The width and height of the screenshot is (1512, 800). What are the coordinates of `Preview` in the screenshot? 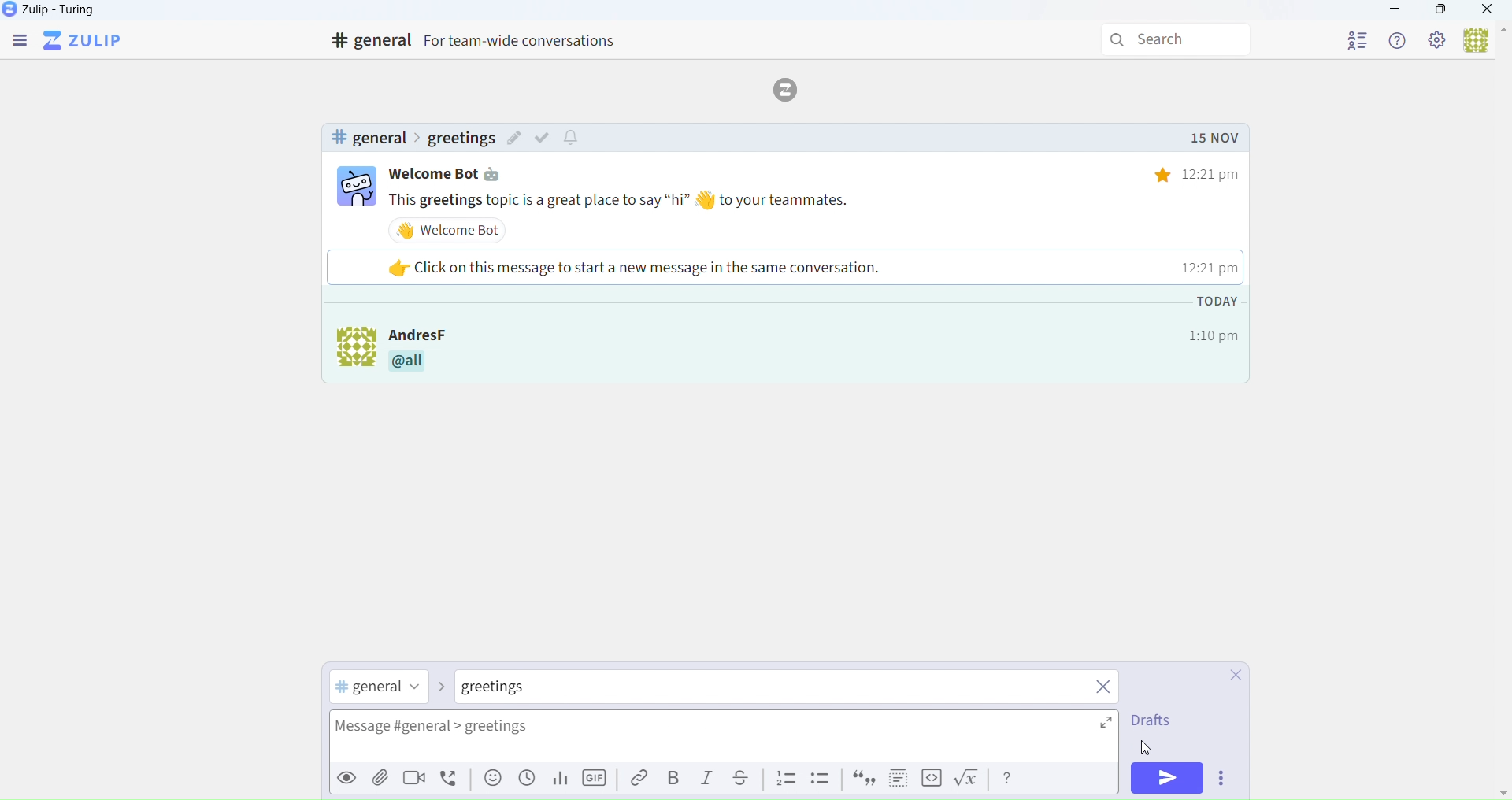 It's located at (344, 778).